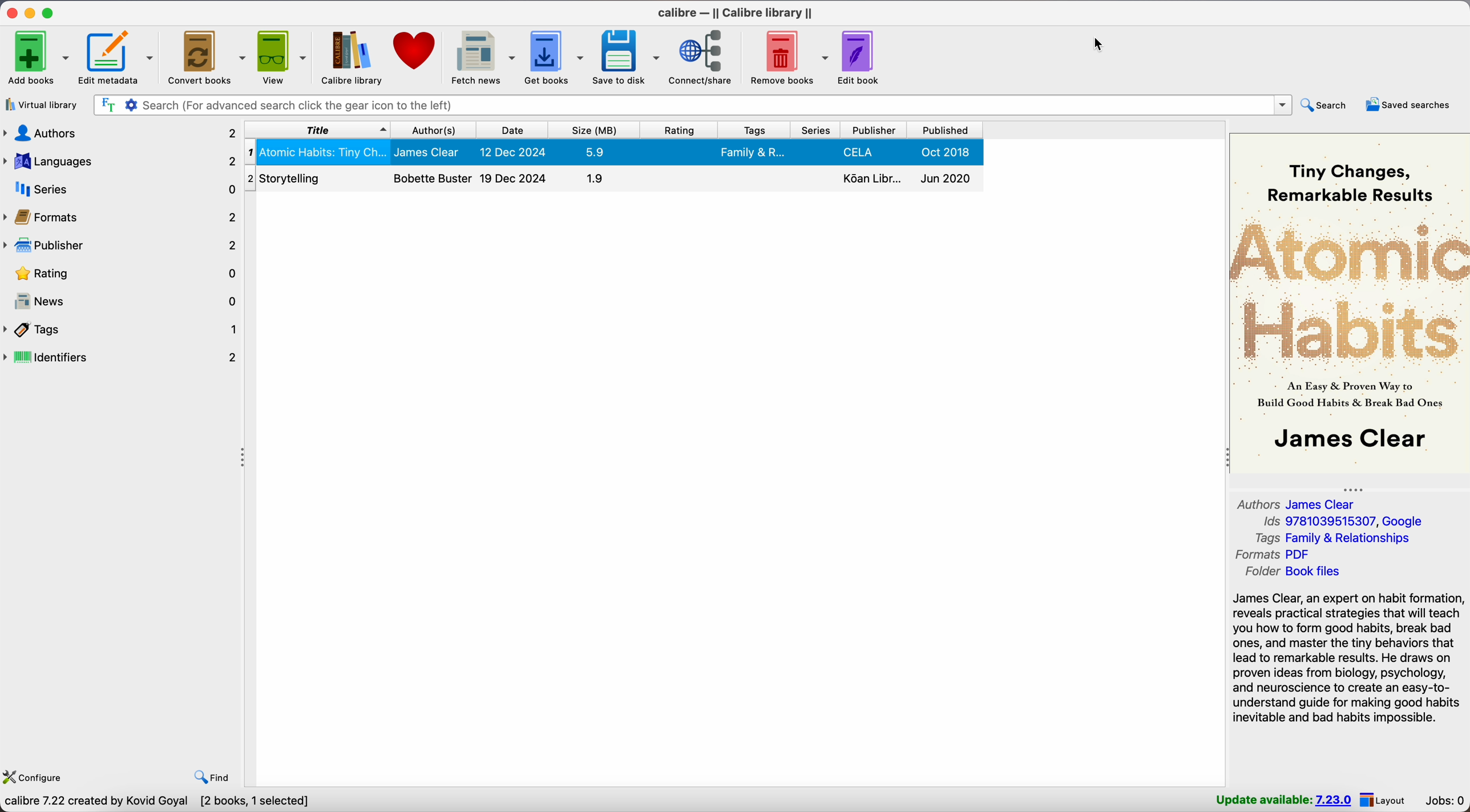 The height and width of the screenshot is (812, 1470). What do you see at coordinates (122, 245) in the screenshot?
I see `publisher` at bounding box center [122, 245].